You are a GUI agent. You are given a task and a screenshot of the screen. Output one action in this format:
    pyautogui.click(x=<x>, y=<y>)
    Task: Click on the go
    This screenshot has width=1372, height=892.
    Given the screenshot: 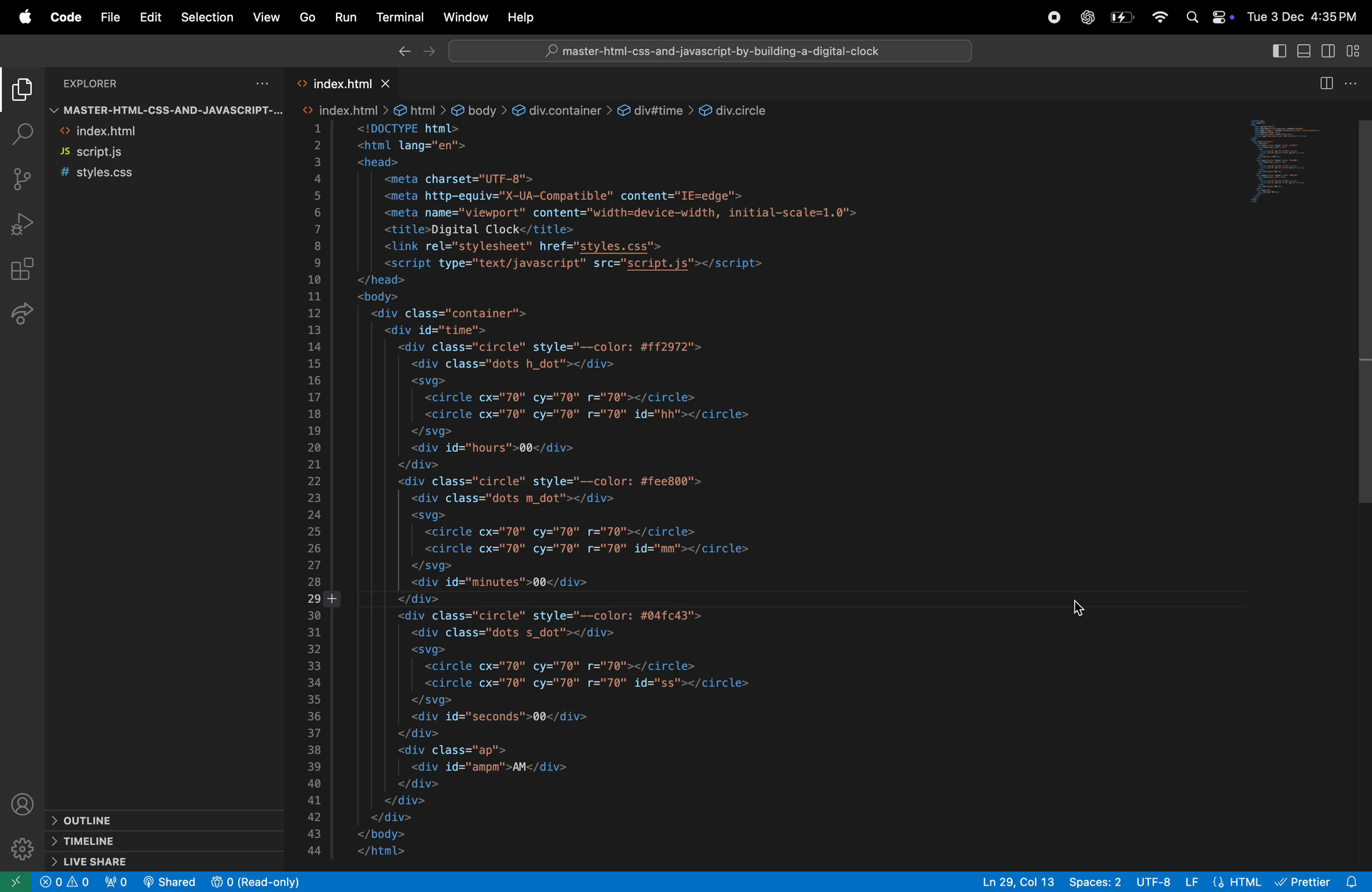 What is the action you would take?
    pyautogui.click(x=308, y=19)
    